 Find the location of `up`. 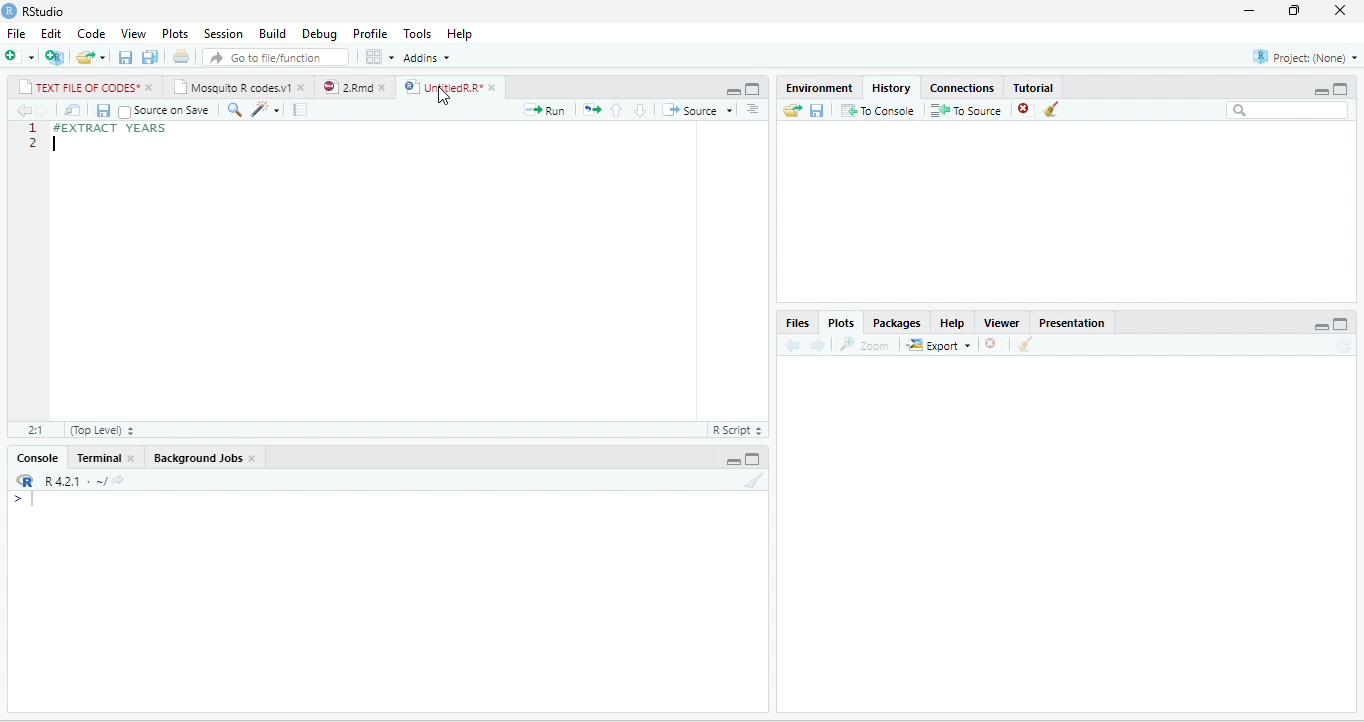

up is located at coordinates (616, 110).